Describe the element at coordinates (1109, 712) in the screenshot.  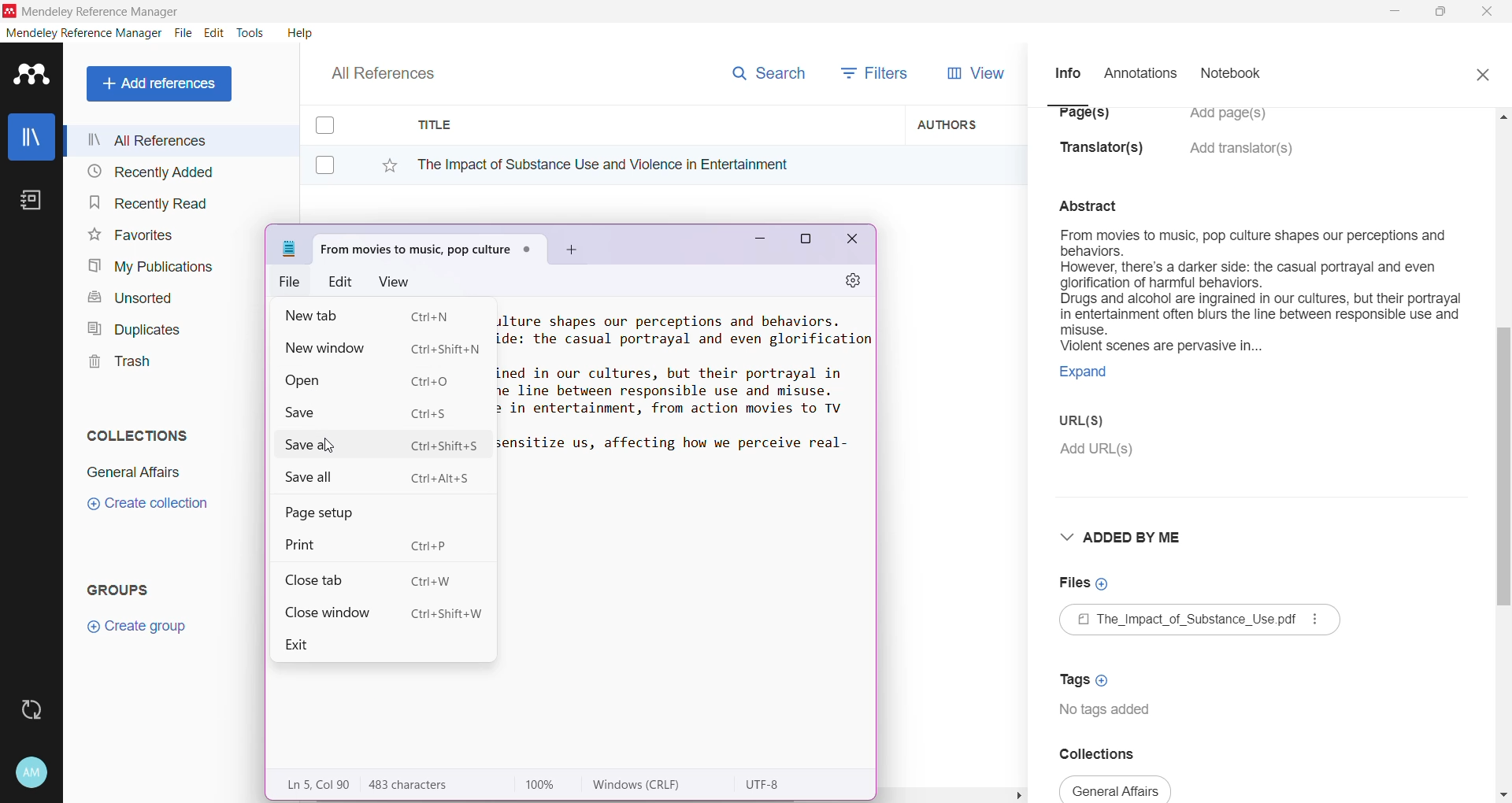
I see `Tags available for the document` at that location.